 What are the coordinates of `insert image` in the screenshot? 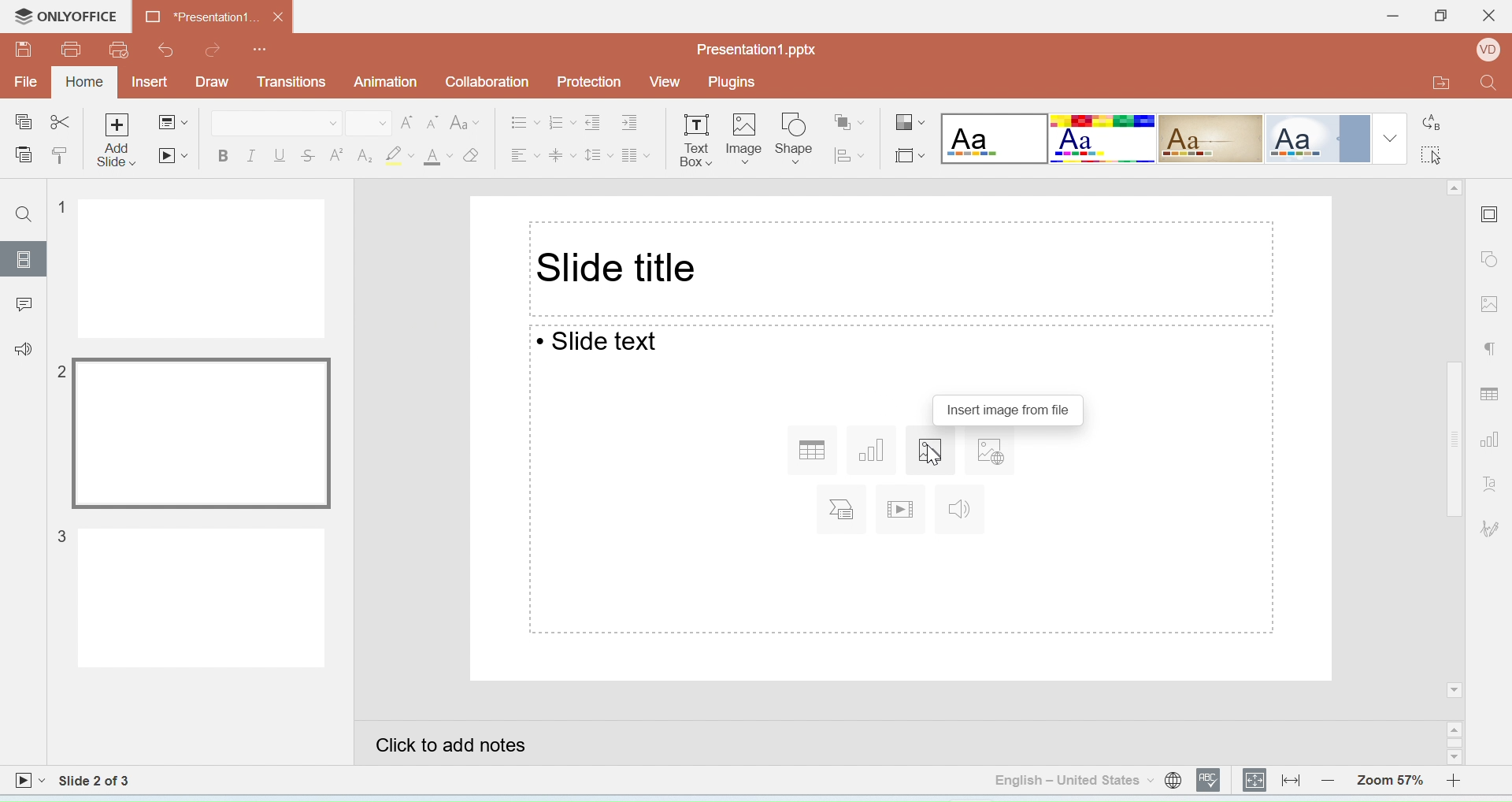 It's located at (929, 451).